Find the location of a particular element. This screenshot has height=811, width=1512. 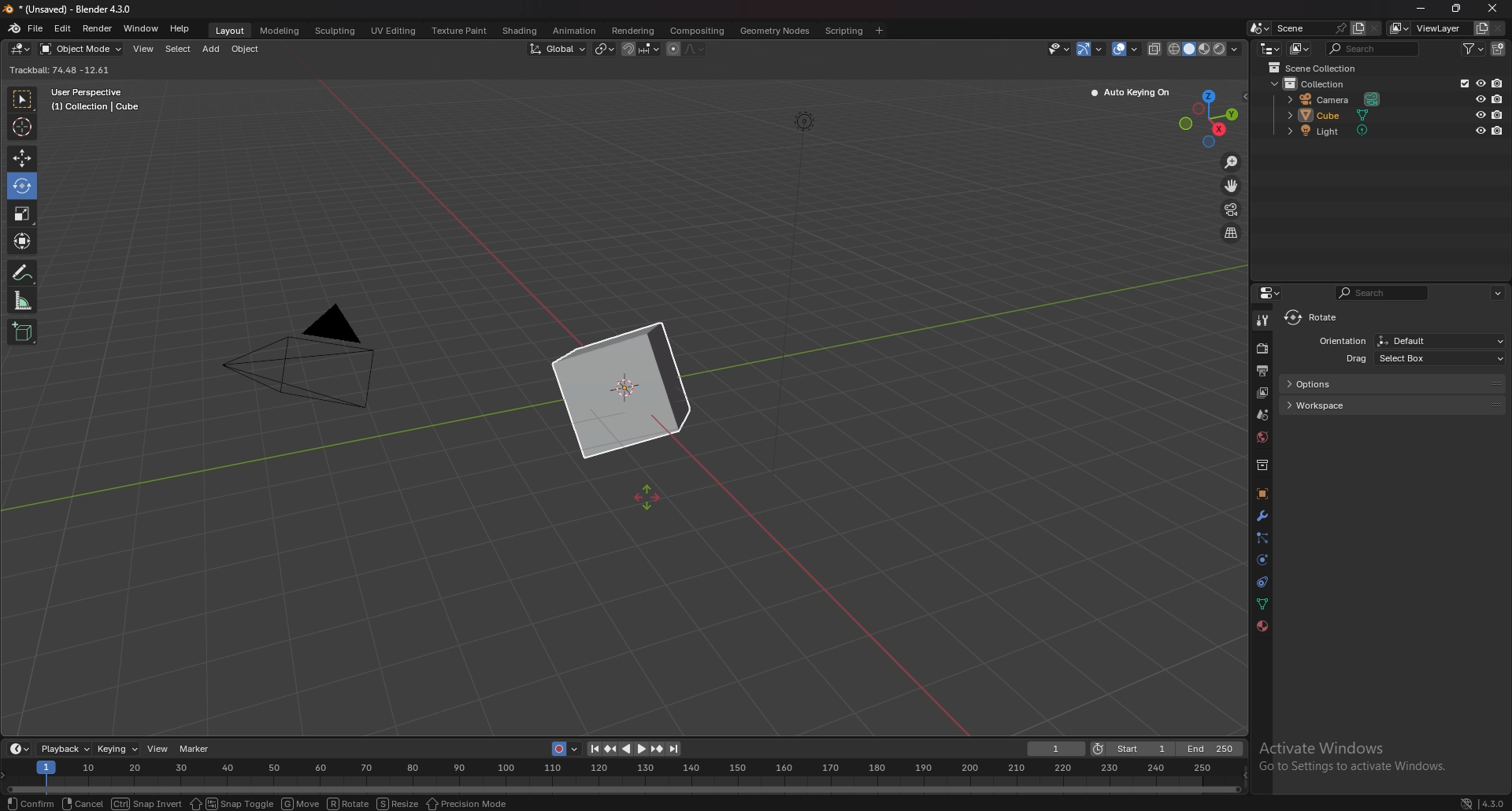

version is located at coordinates (1484, 802).